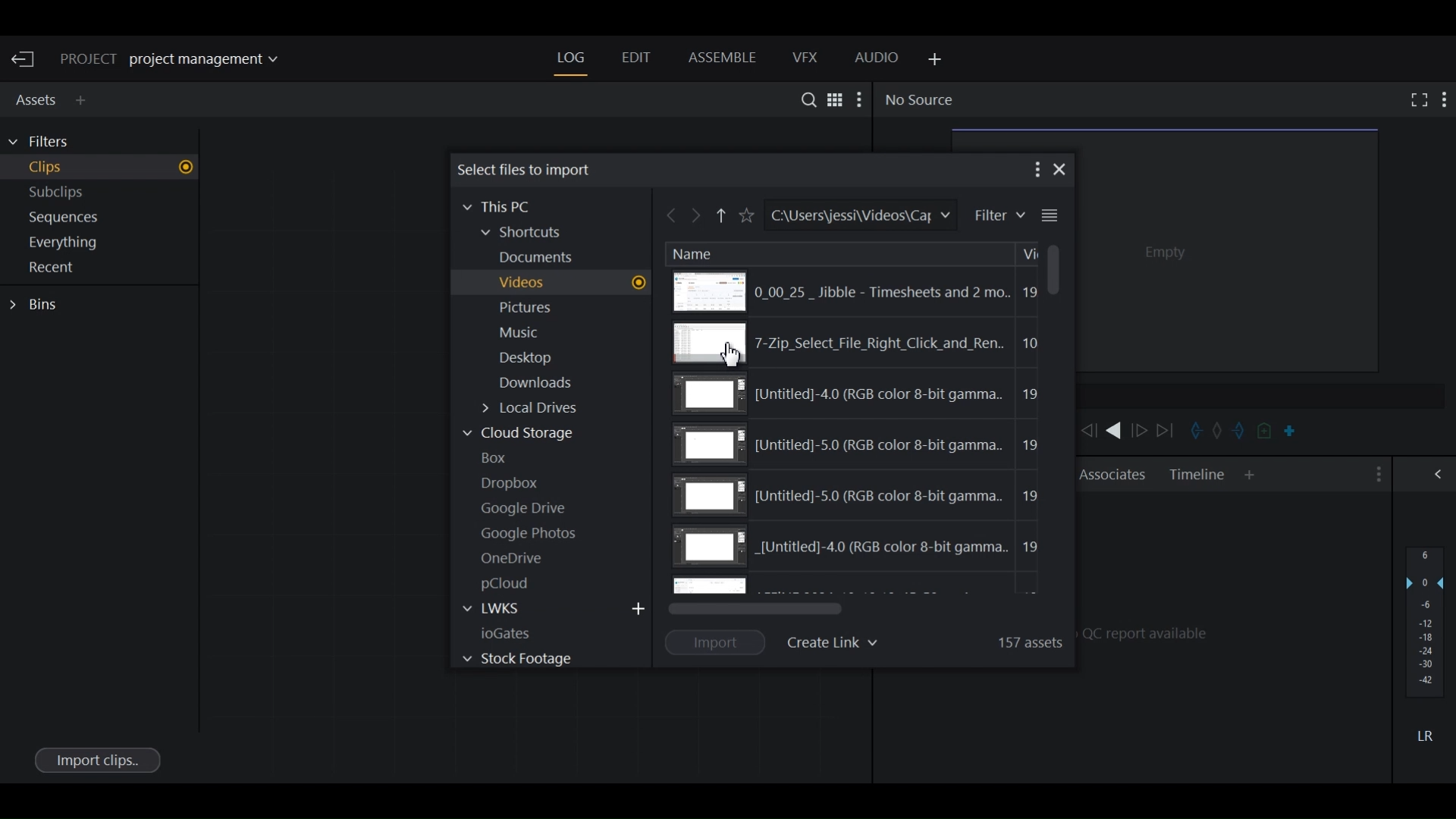  Describe the element at coordinates (836, 640) in the screenshot. I see `Create link` at that location.